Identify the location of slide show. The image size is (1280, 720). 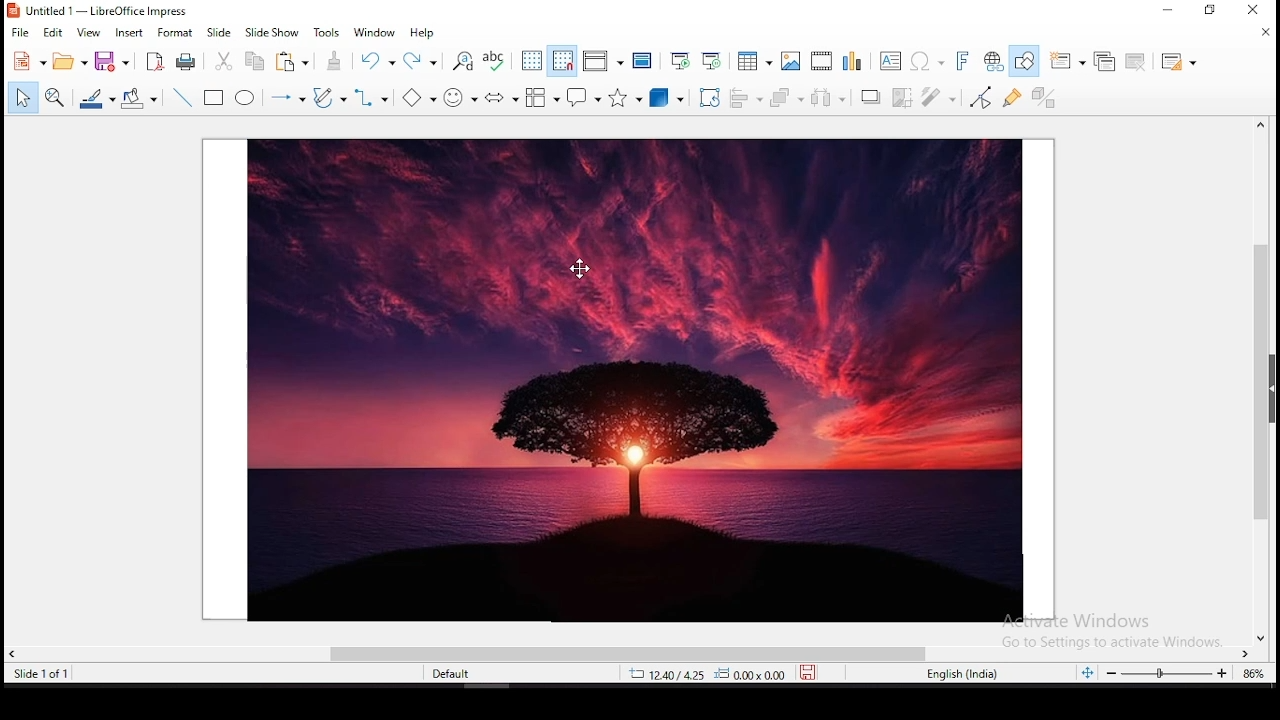
(273, 32).